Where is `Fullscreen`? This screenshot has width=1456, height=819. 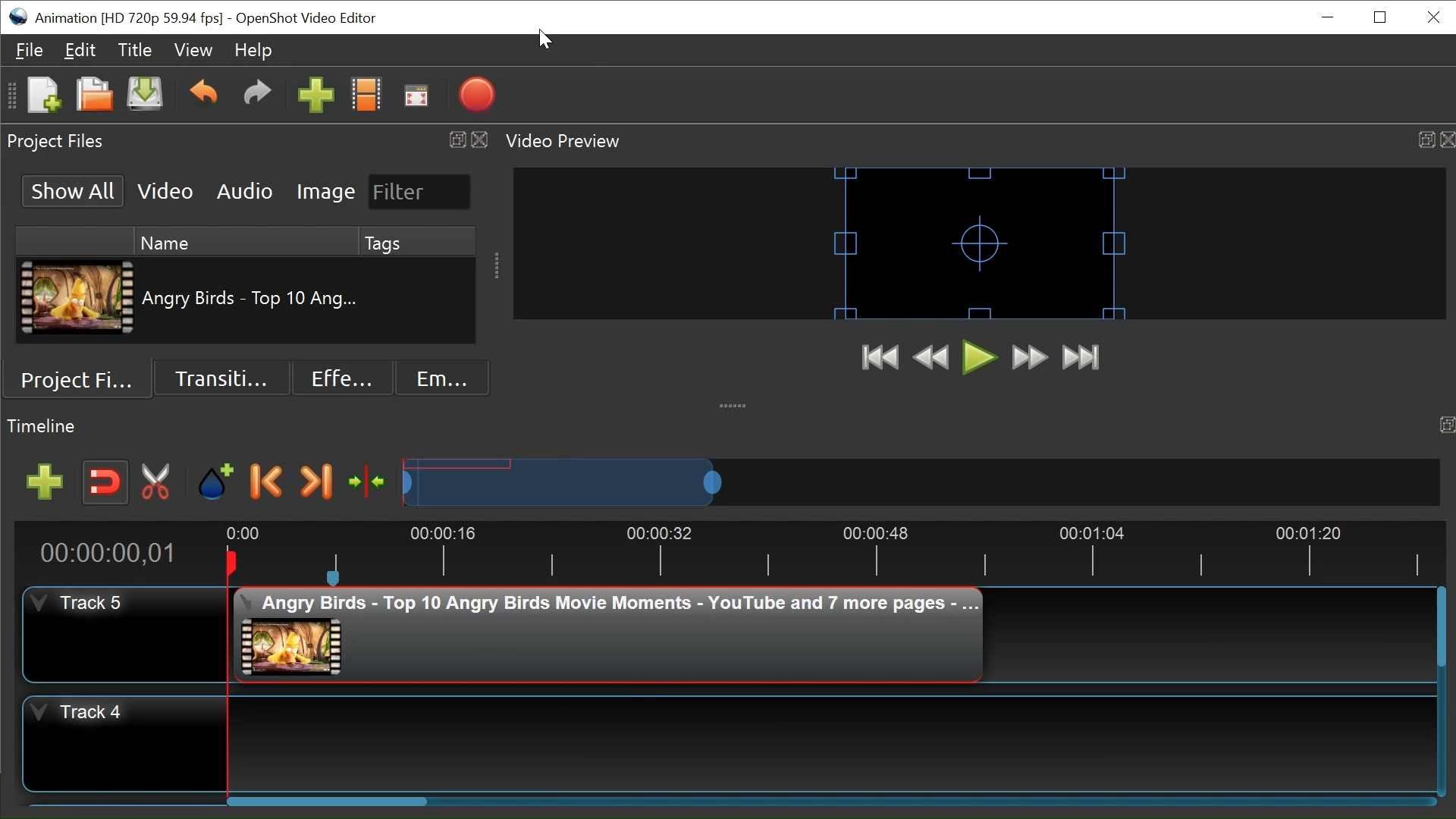
Fullscreen is located at coordinates (417, 98).